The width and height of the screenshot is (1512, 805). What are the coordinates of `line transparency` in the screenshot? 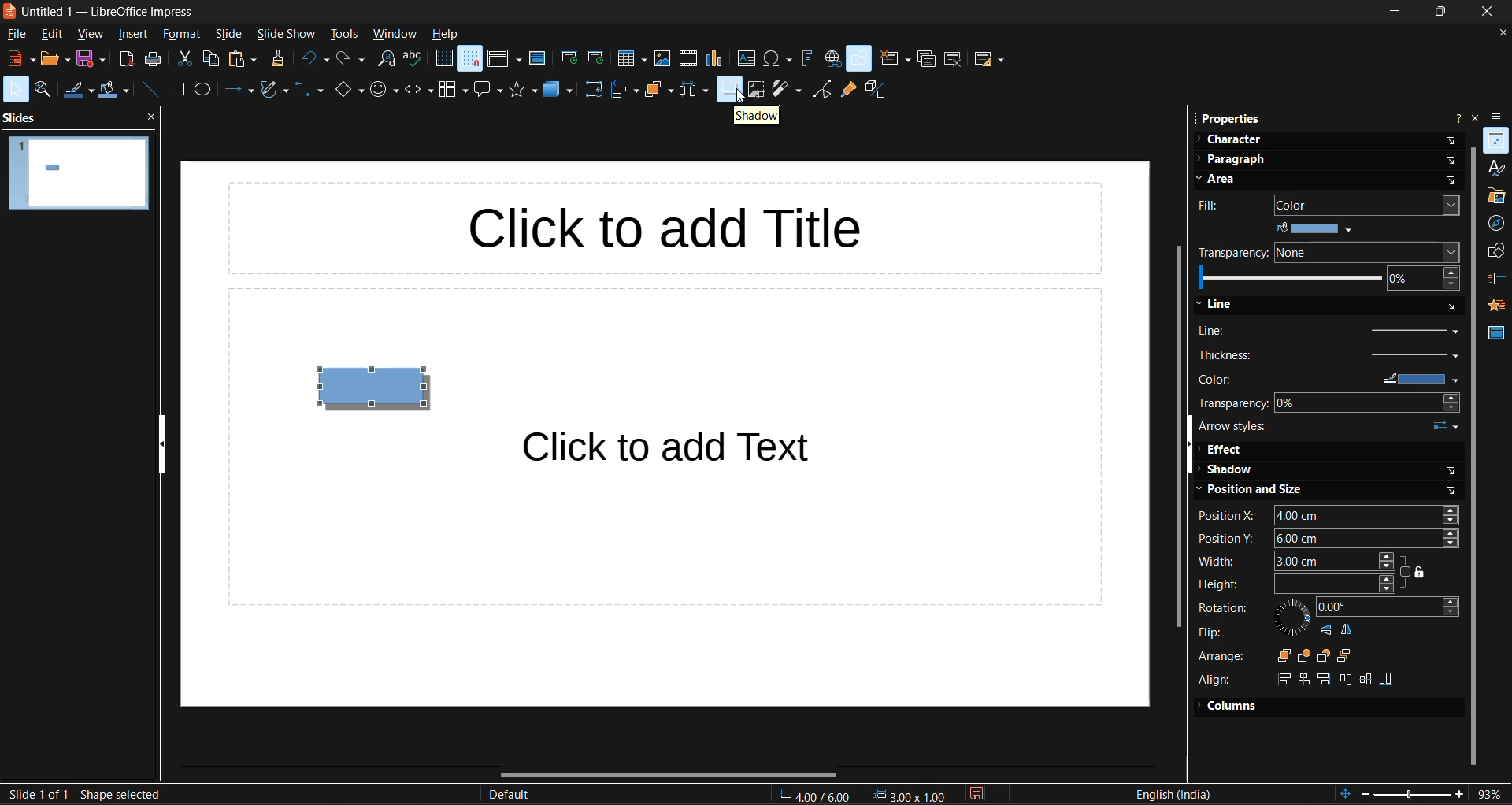 It's located at (1329, 402).